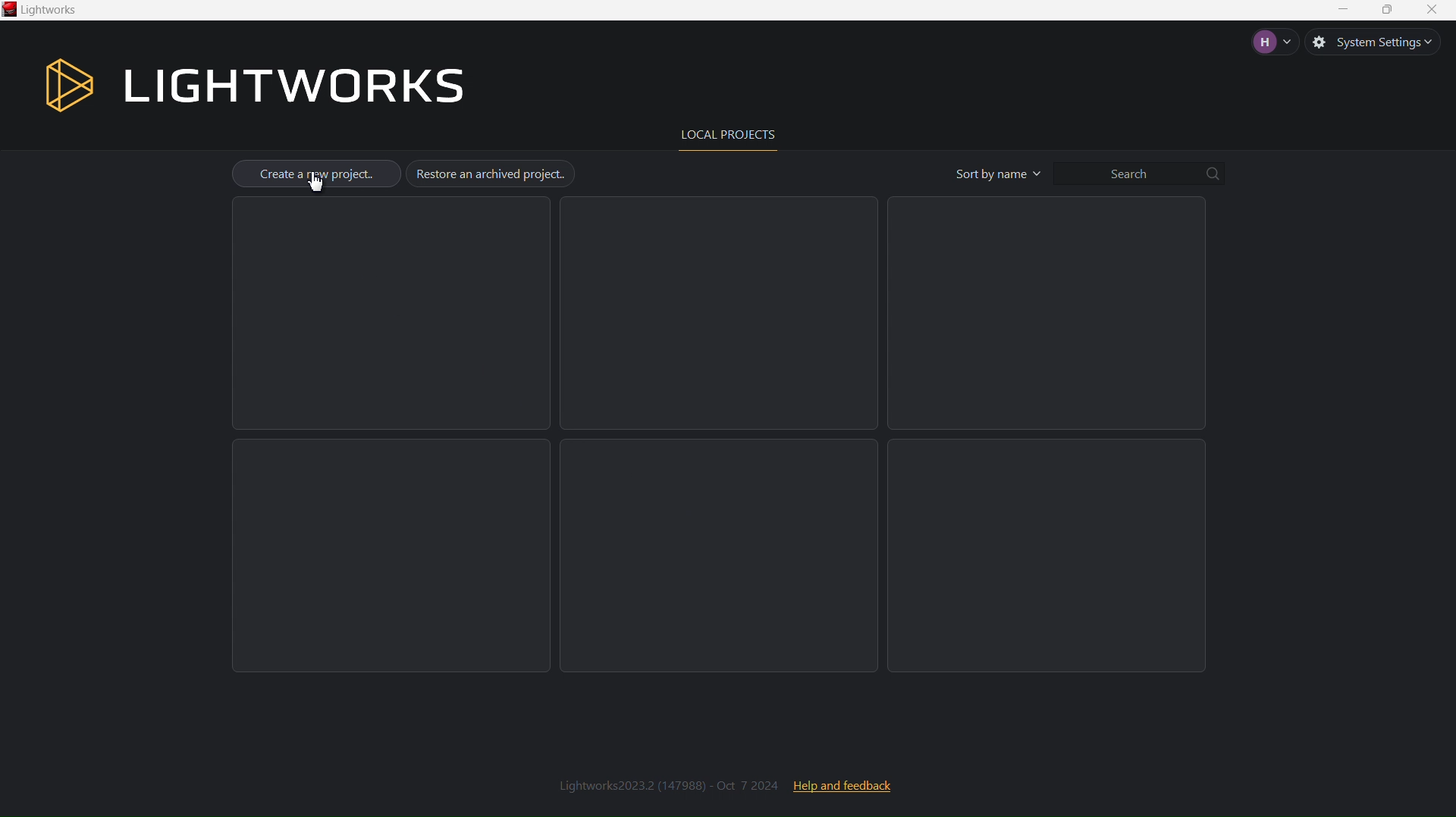  Describe the element at coordinates (392, 315) in the screenshot. I see `Empty Project` at that location.